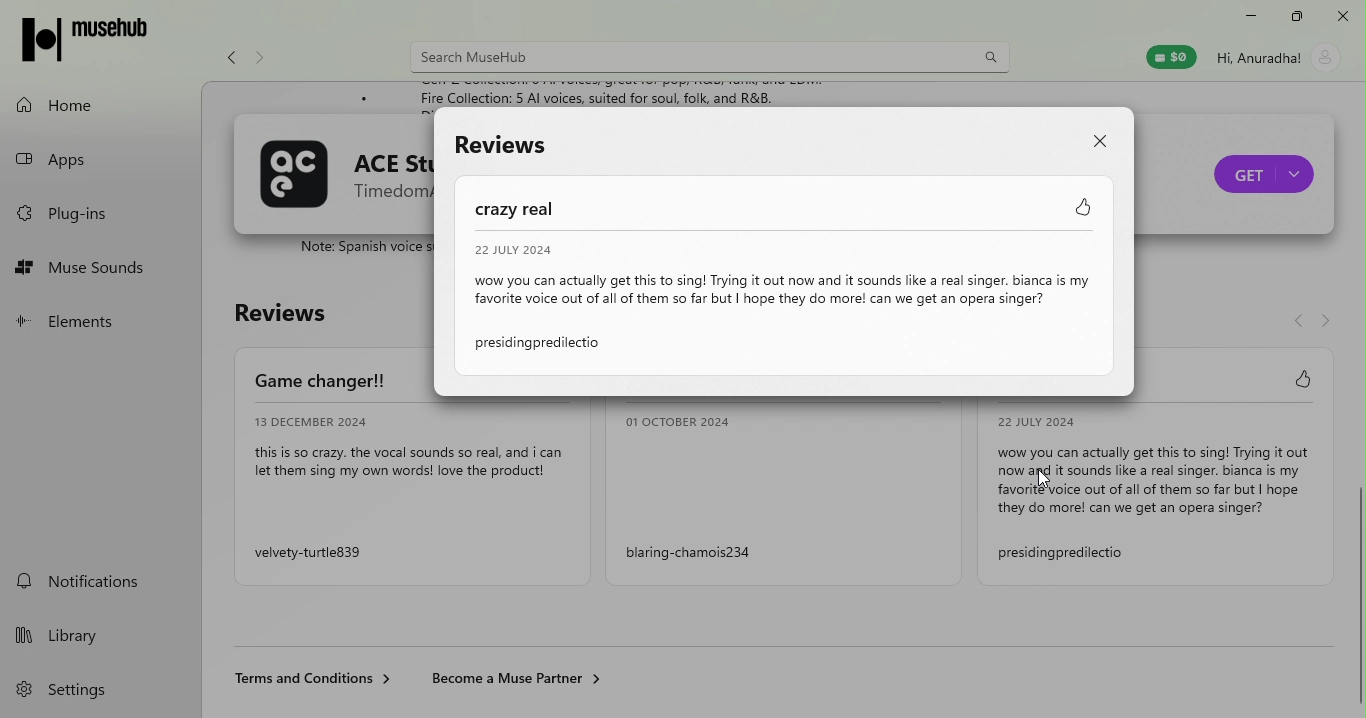 The height and width of the screenshot is (718, 1366). I want to click on Review, so click(1165, 499).